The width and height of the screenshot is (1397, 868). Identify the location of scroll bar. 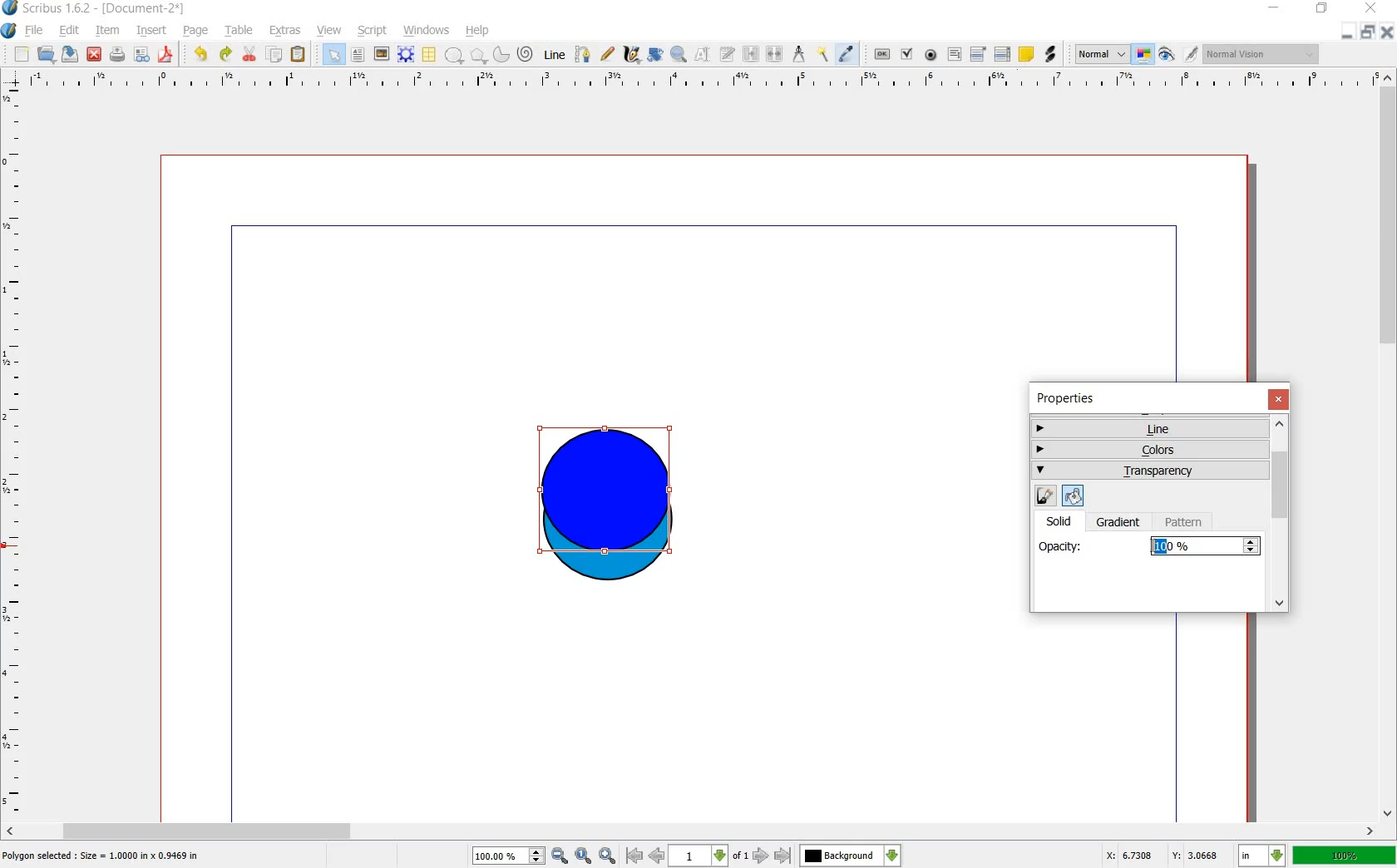
(1389, 442).